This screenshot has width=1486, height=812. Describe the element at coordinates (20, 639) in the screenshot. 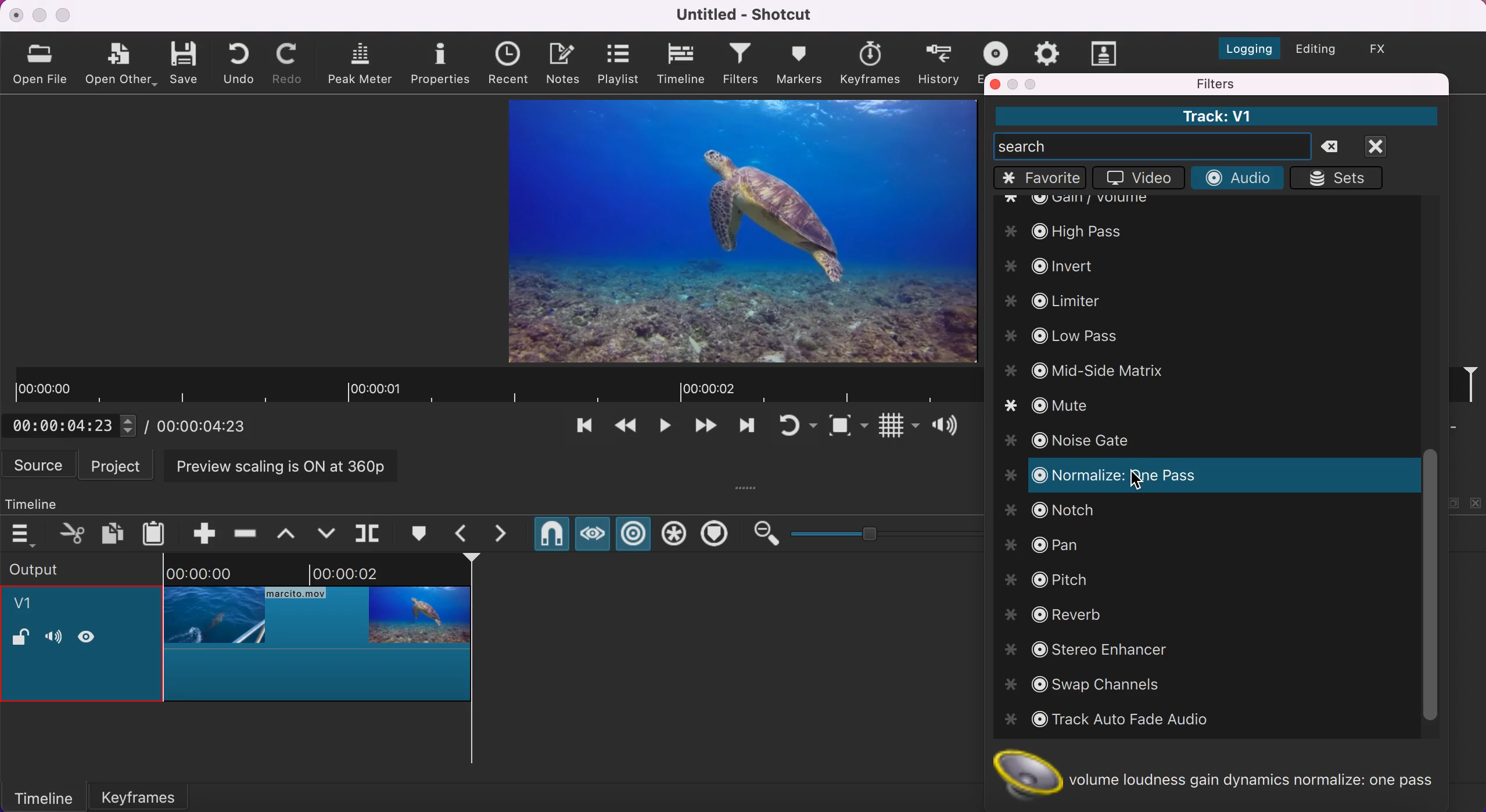

I see `lock` at that location.